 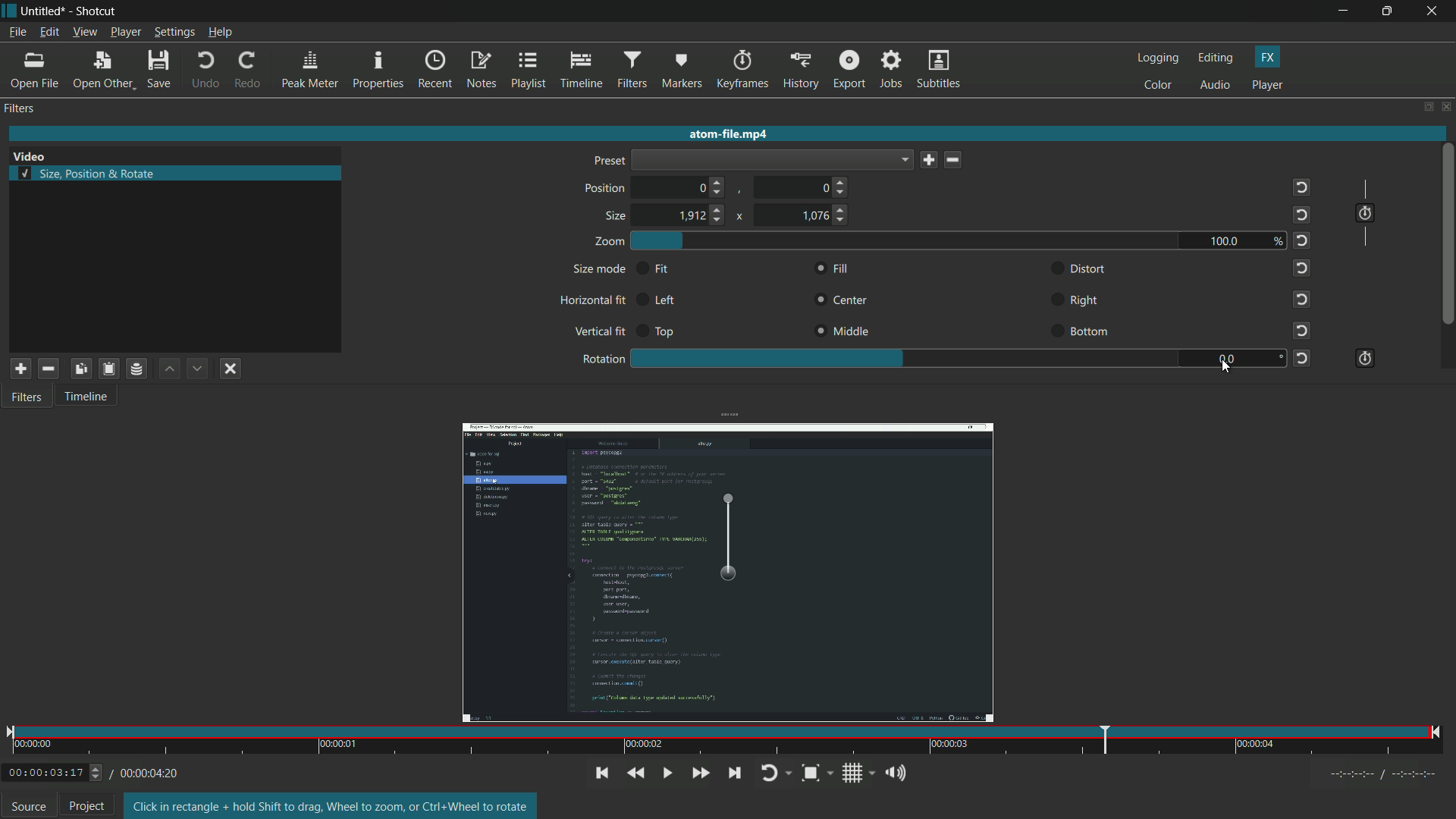 What do you see at coordinates (1217, 58) in the screenshot?
I see `editing` at bounding box center [1217, 58].